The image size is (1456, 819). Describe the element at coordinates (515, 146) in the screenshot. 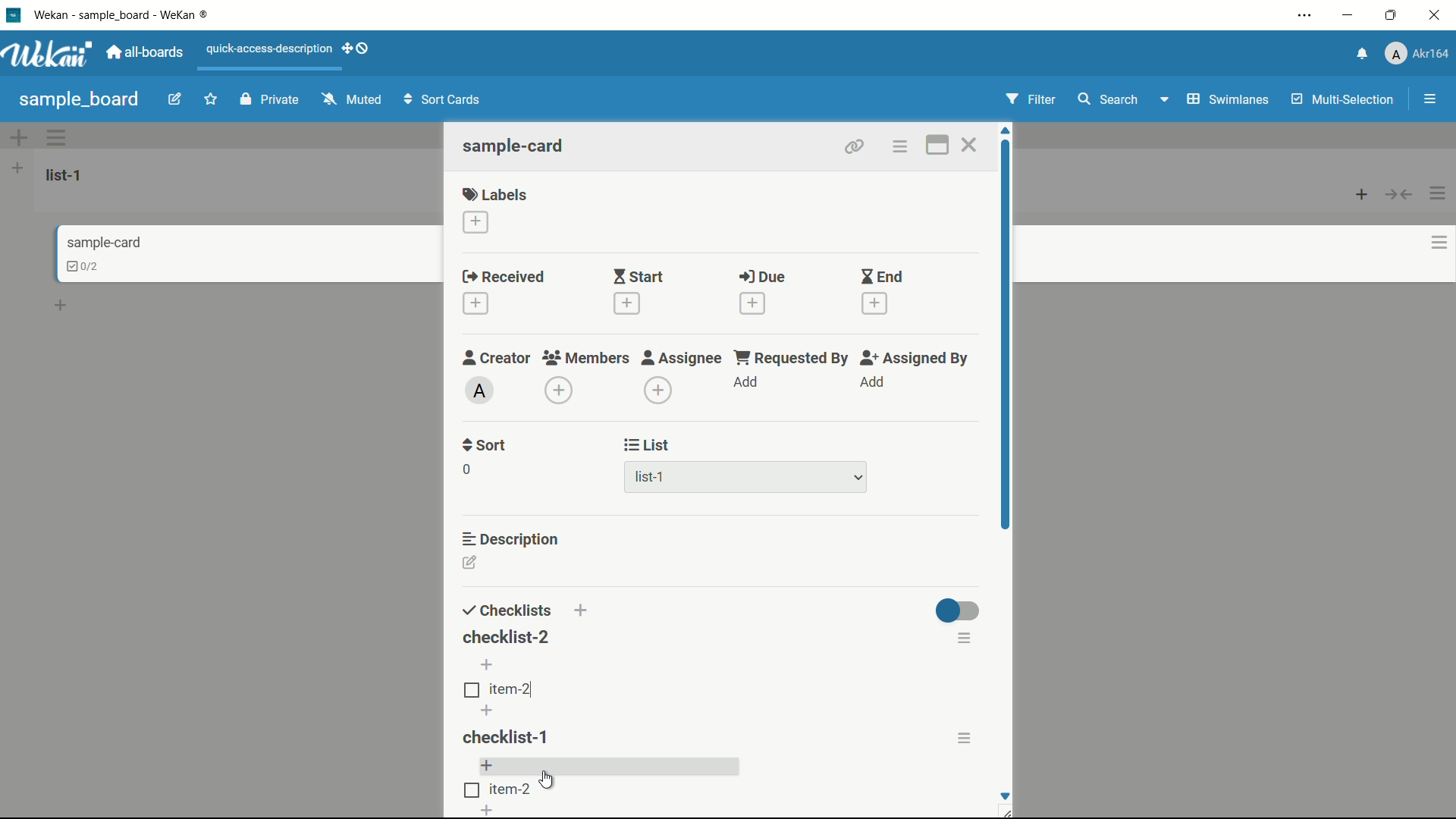

I see `card name` at that location.